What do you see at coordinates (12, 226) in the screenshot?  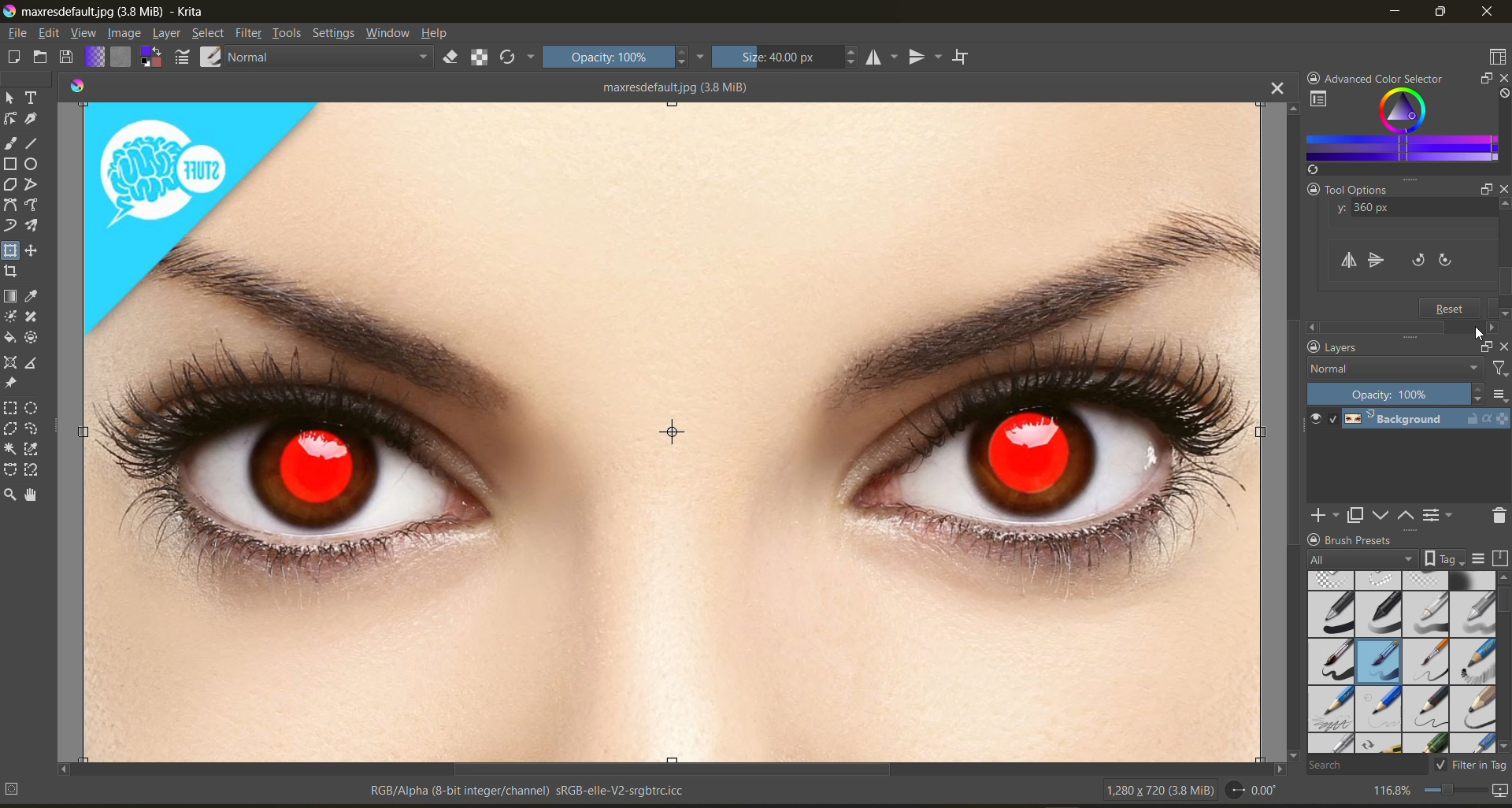 I see `tool` at bounding box center [12, 226].